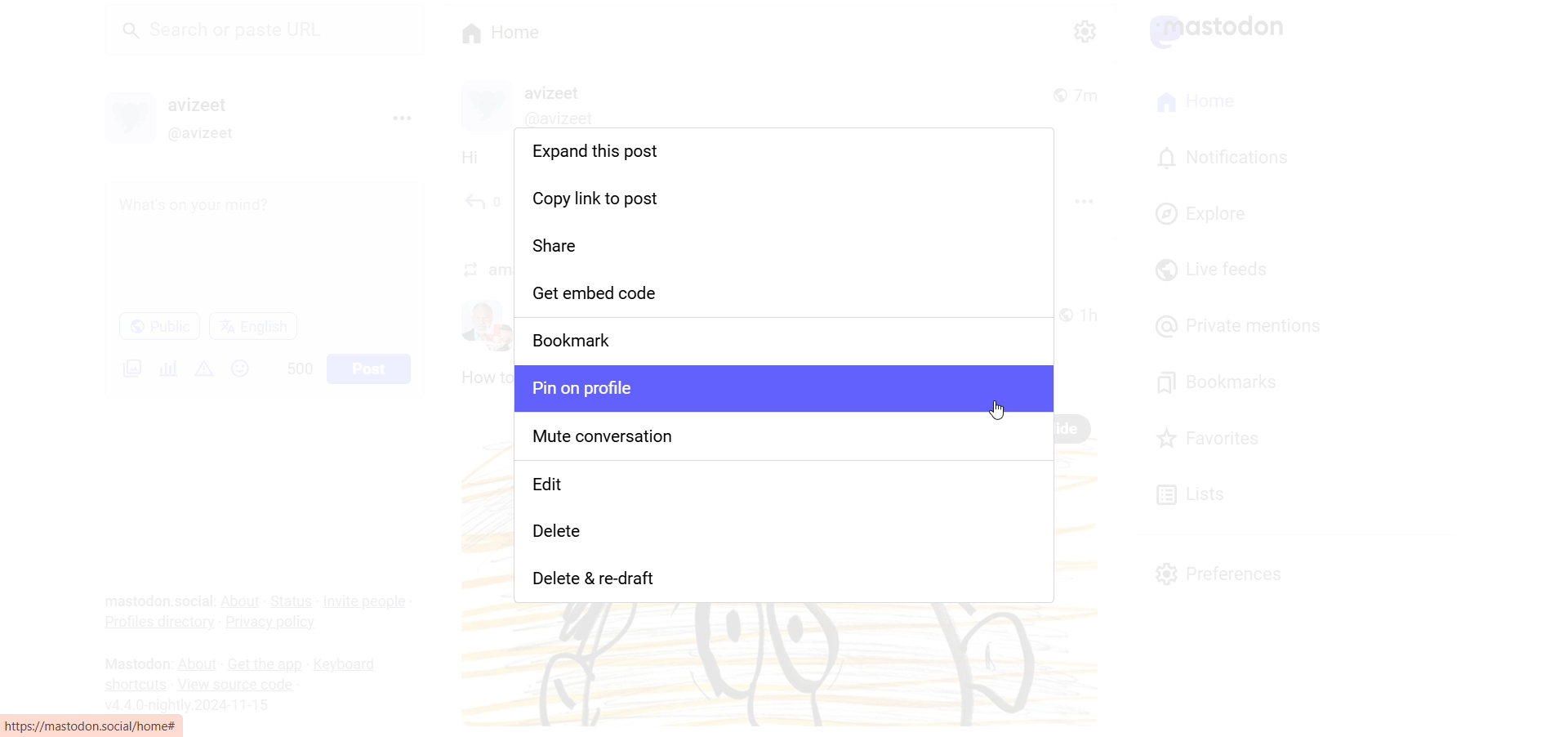 The height and width of the screenshot is (737, 1568). I want to click on More, so click(1120, 226).